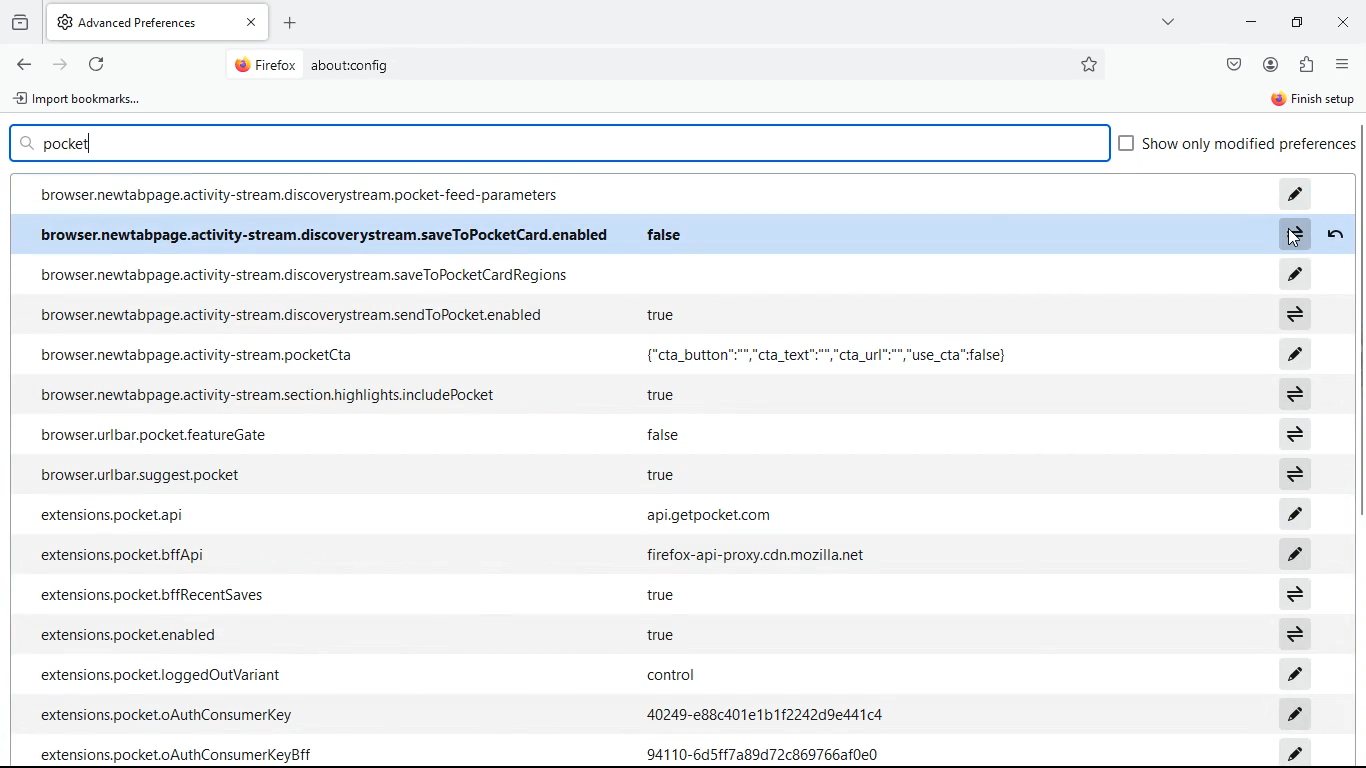 The height and width of the screenshot is (768, 1366). I want to click on ‘extensions.pocket.oAuthConsumerKey, so click(167, 714).